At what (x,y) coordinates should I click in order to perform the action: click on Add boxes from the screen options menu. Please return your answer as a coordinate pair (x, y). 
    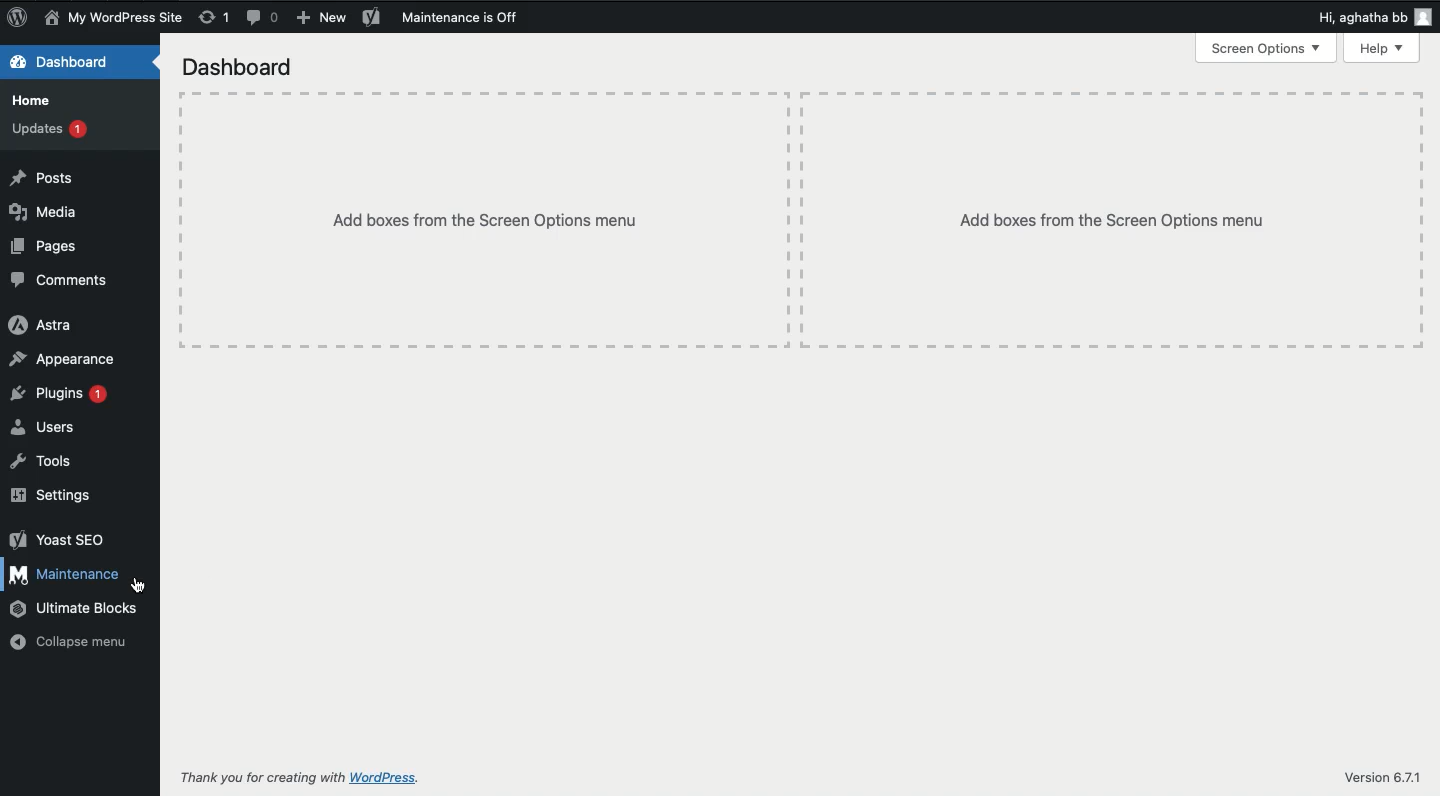
    Looking at the image, I should click on (804, 219).